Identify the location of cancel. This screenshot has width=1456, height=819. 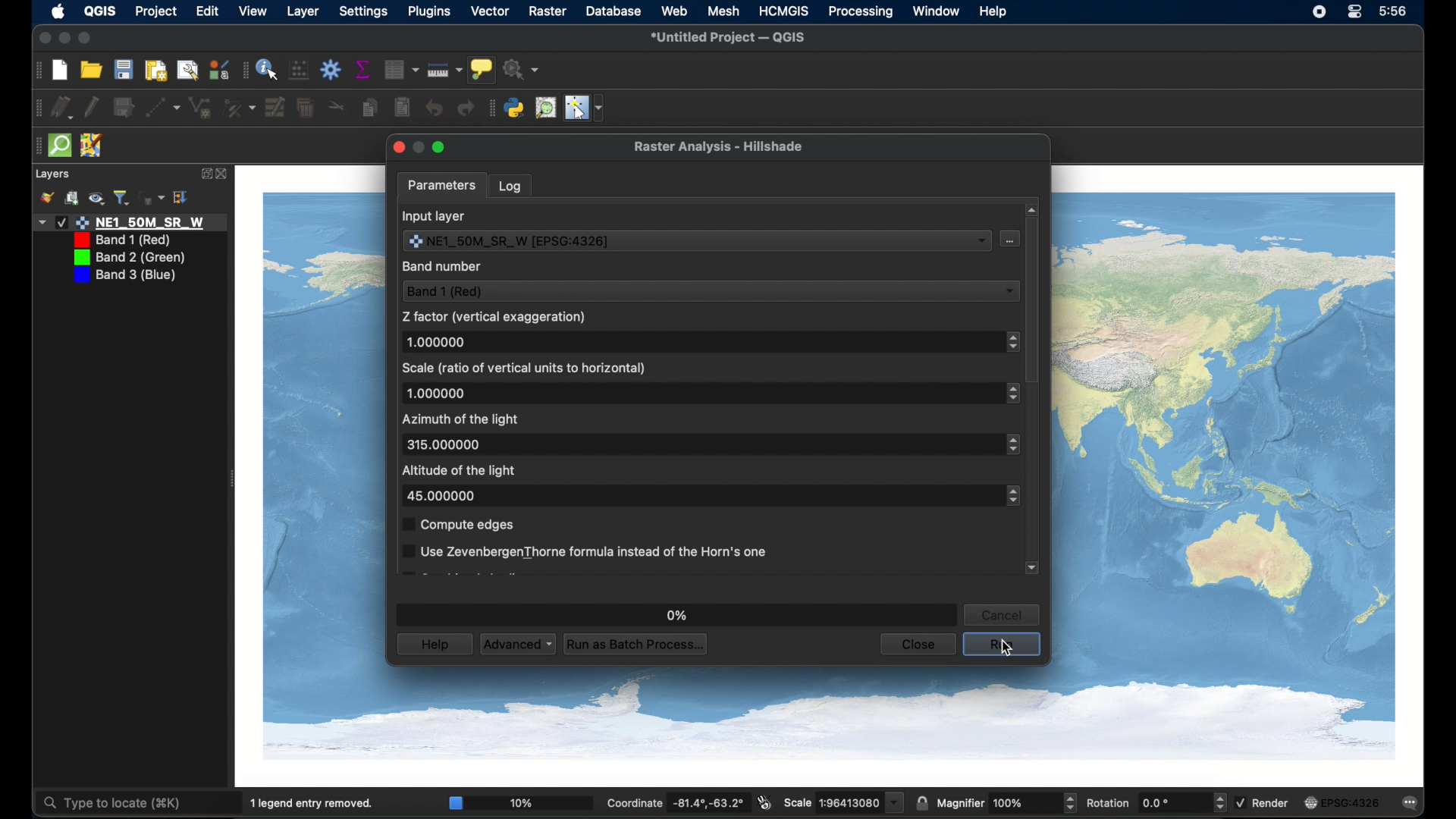
(1002, 615).